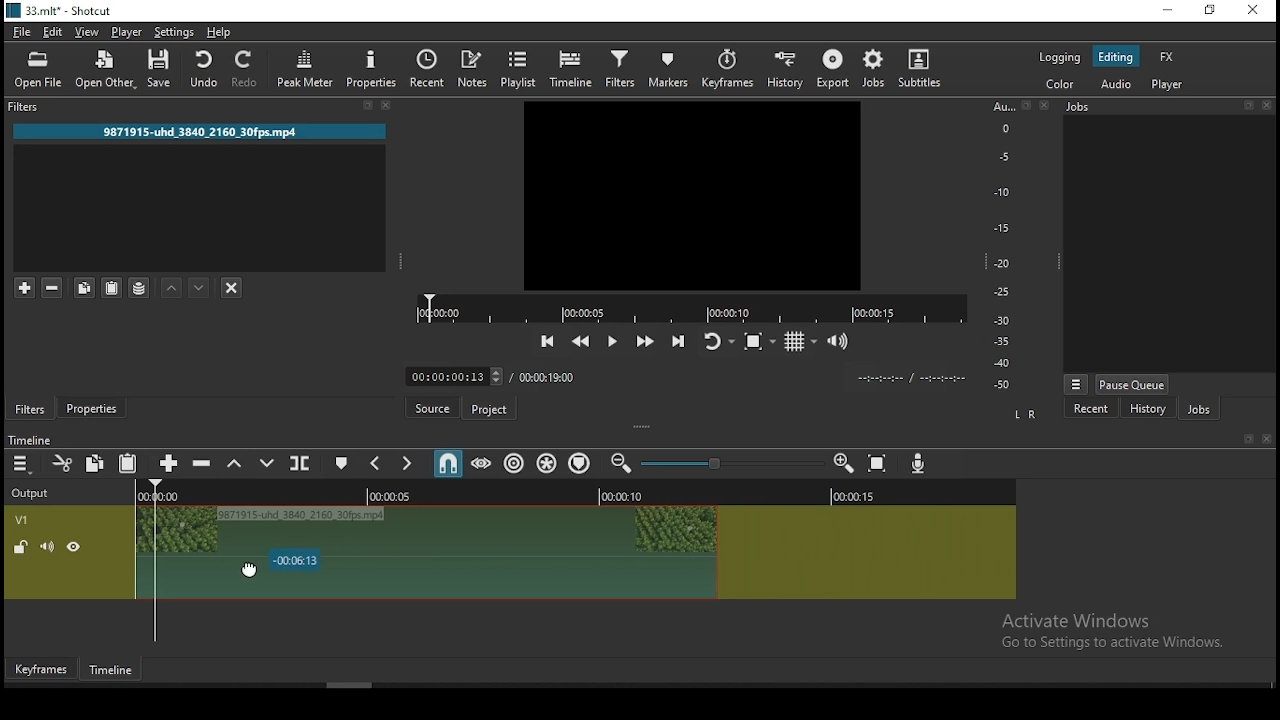 This screenshot has width=1280, height=720. Describe the element at coordinates (379, 461) in the screenshot. I see `previous marker` at that location.